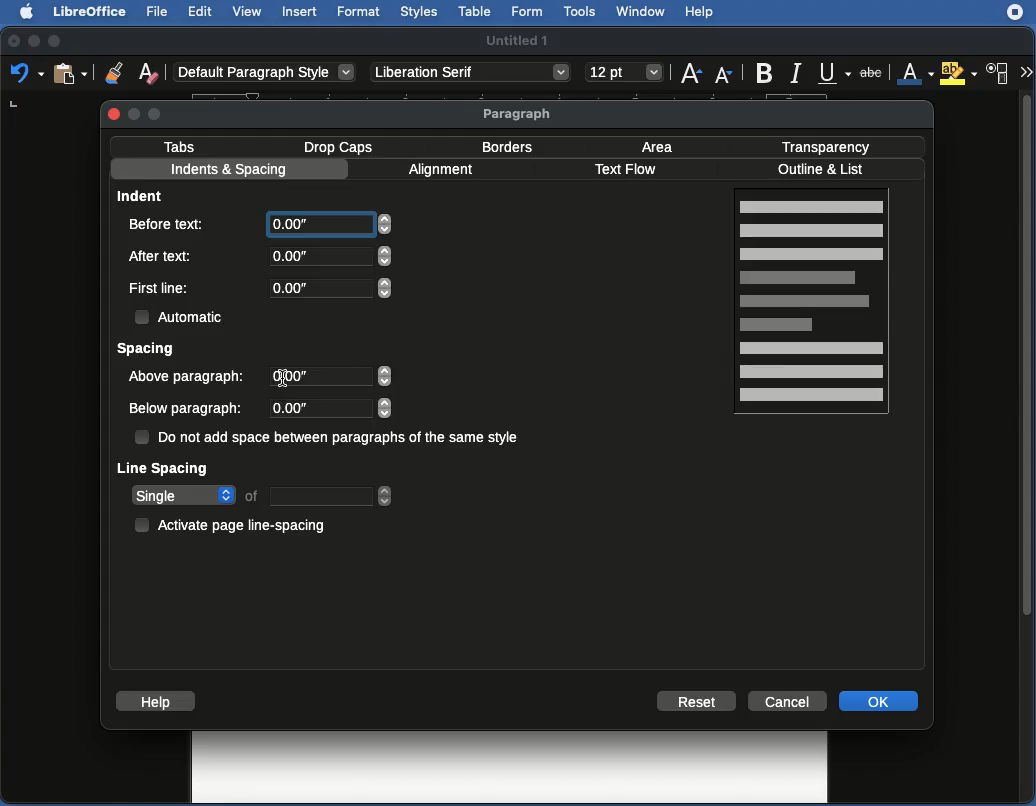  I want to click on Activate page line-spacing, so click(234, 522).